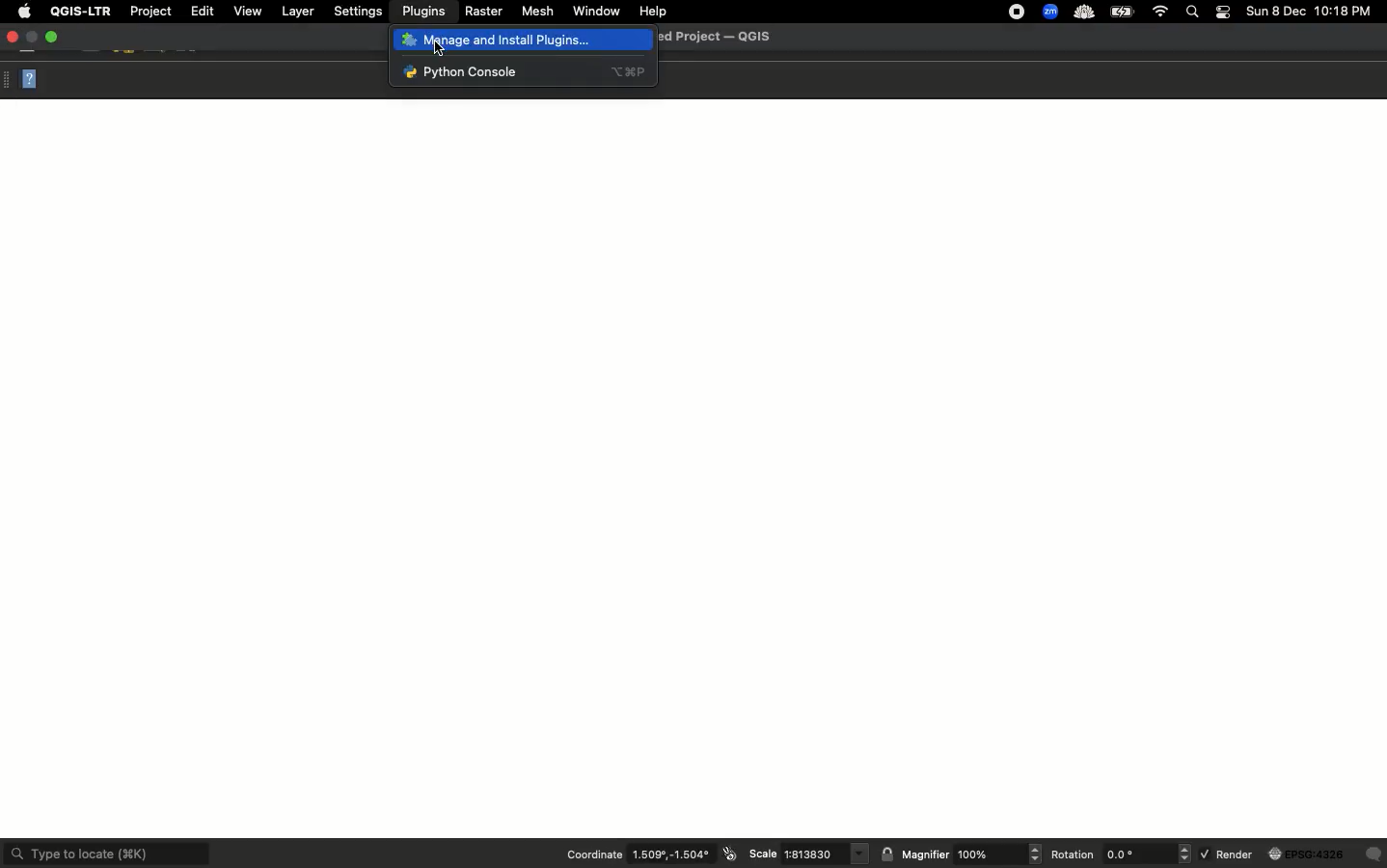  What do you see at coordinates (300, 11) in the screenshot?
I see `Layer` at bounding box center [300, 11].